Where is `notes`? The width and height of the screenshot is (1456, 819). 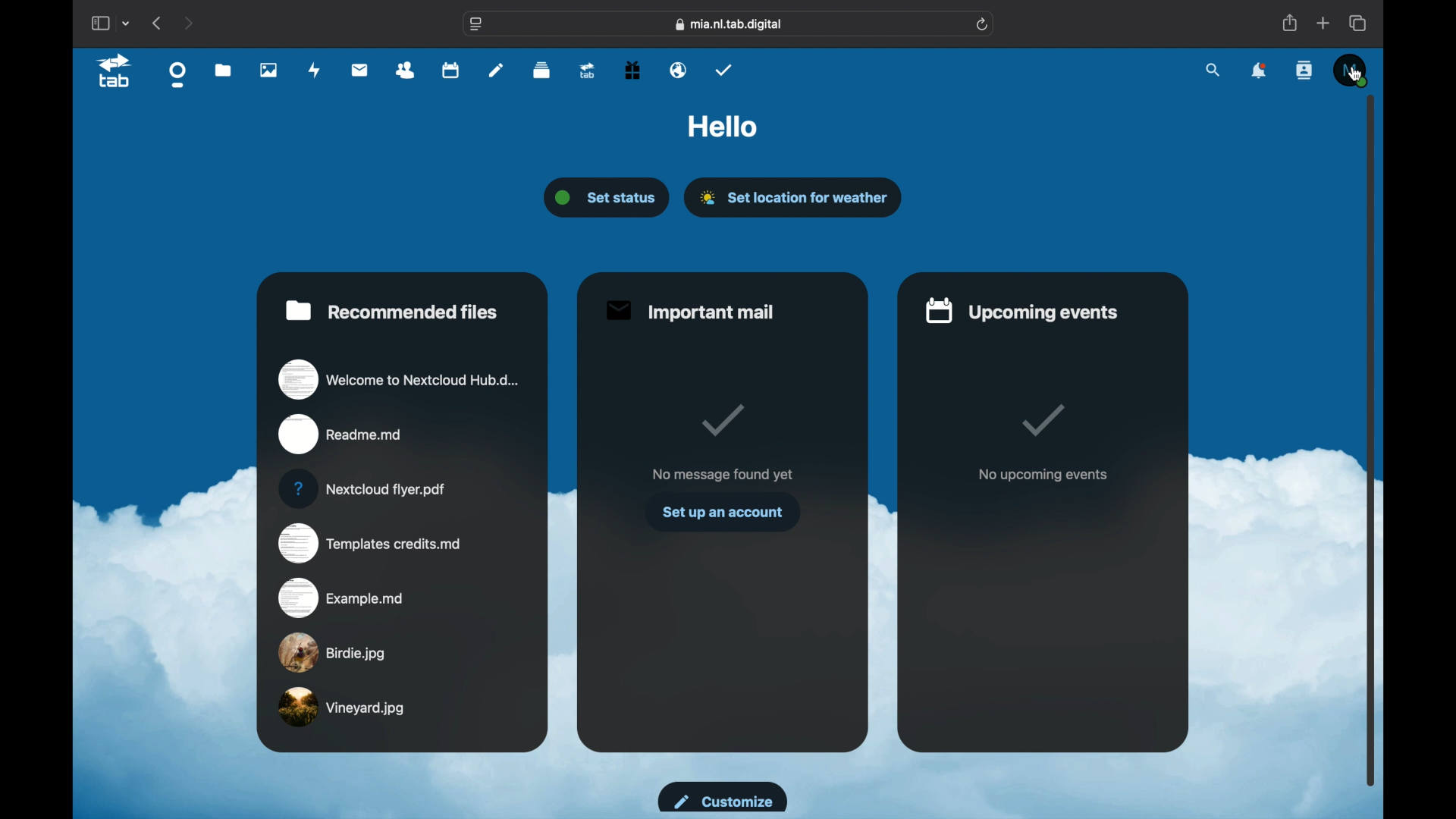
notes is located at coordinates (496, 69).